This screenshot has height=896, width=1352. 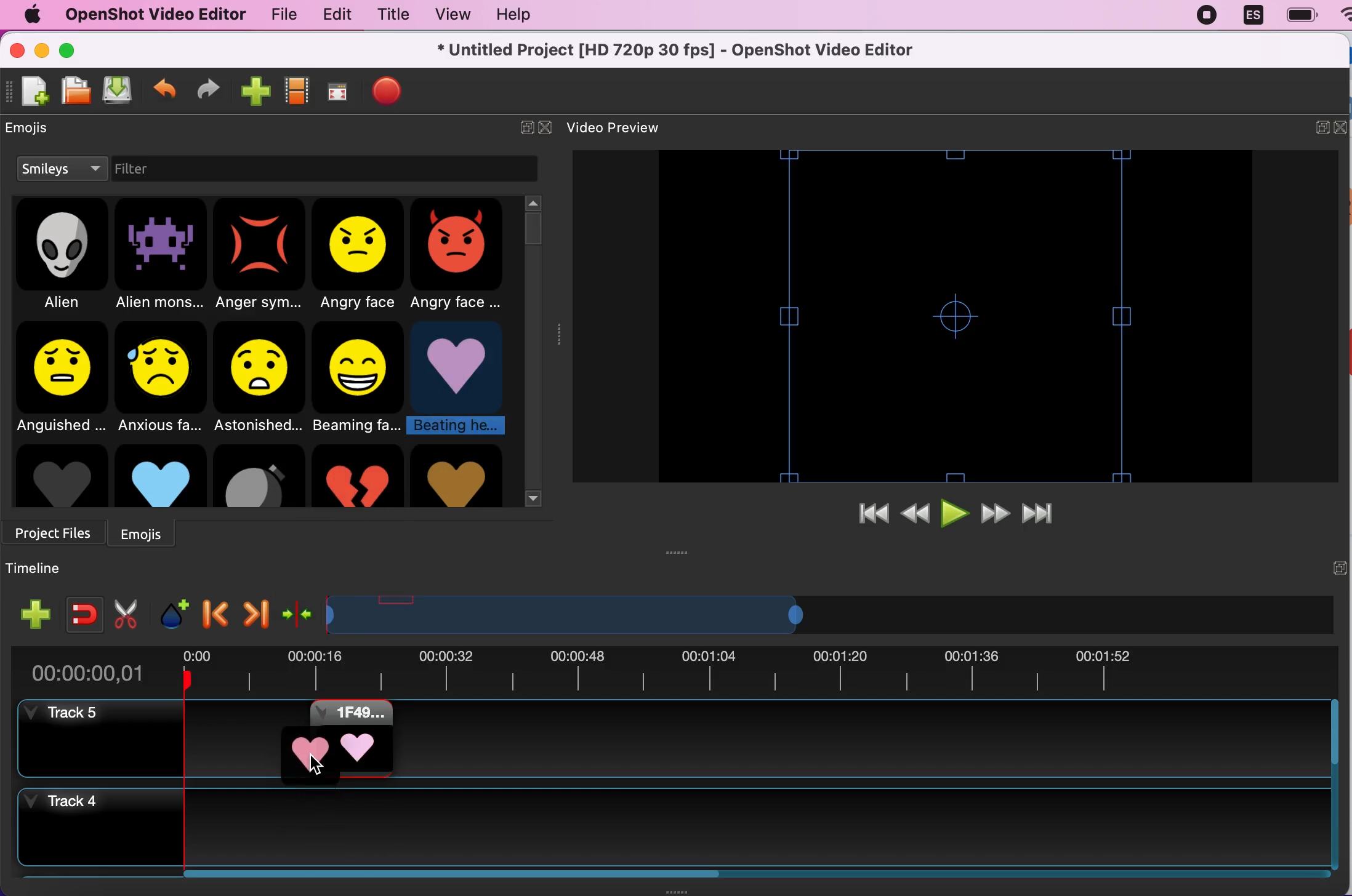 What do you see at coordinates (456, 476) in the screenshot?
I see `heart` at bounding box center [456, 476].